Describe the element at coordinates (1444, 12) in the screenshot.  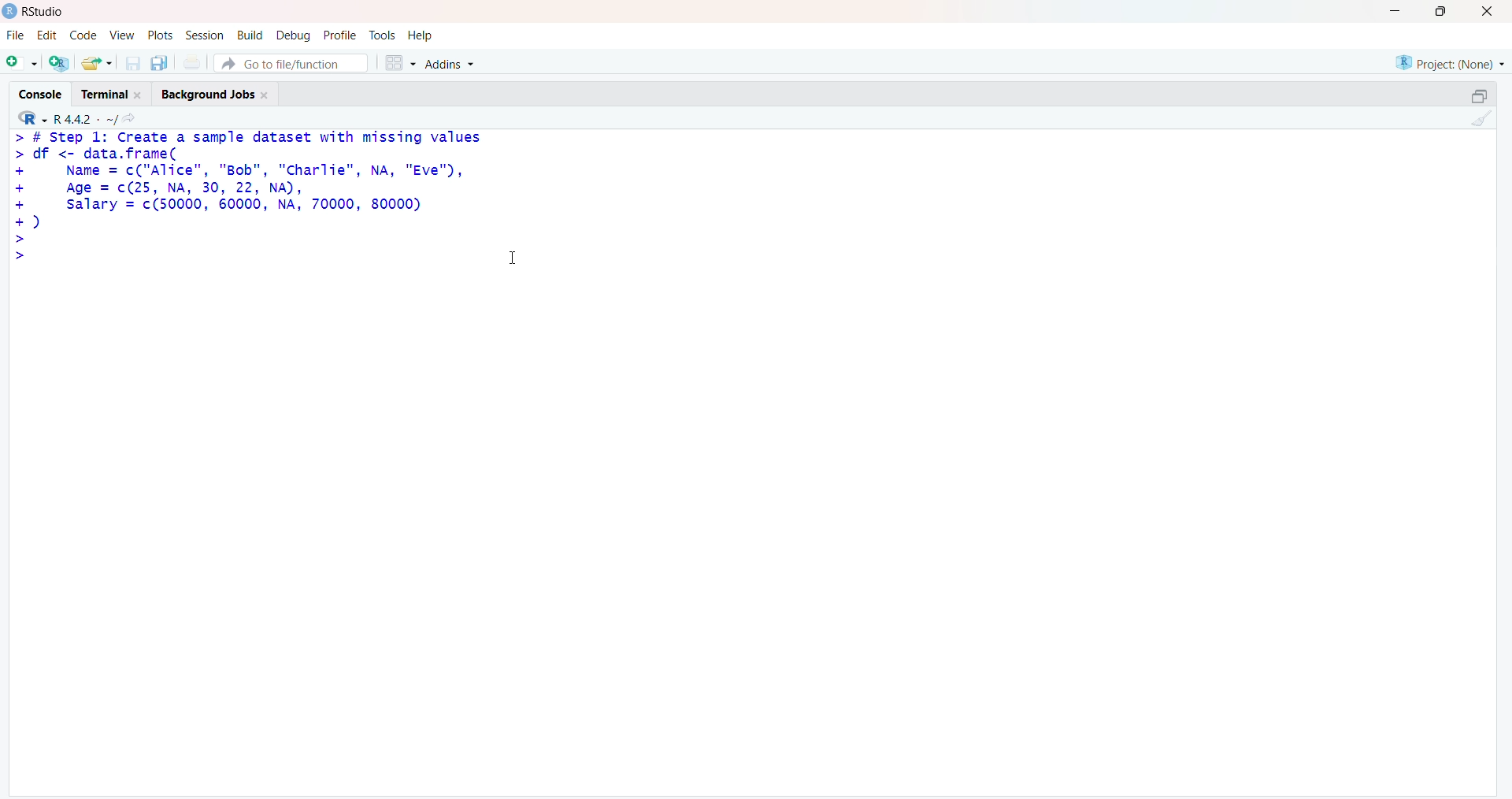
I see `Maximize` at that location.